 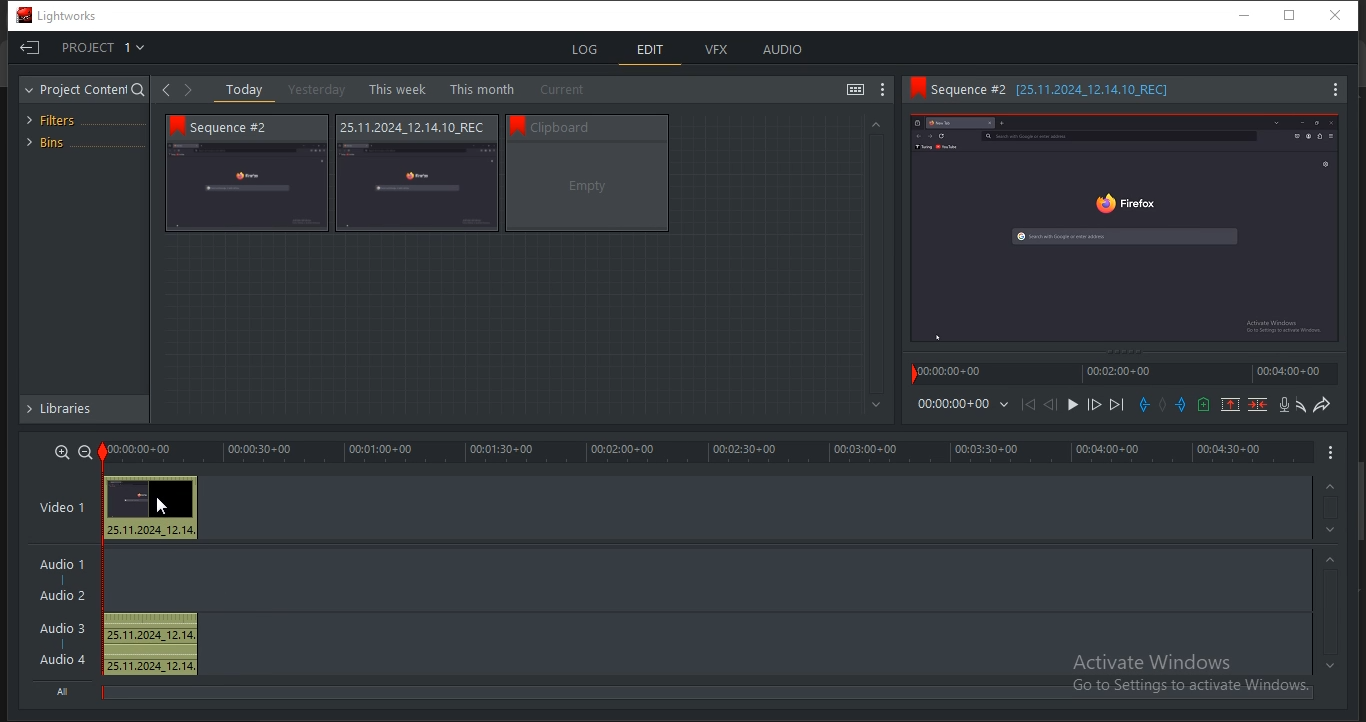 What do you see at coordinates (65, 691) in the screenshot?
I see `All` at bounding box center [65, 691].